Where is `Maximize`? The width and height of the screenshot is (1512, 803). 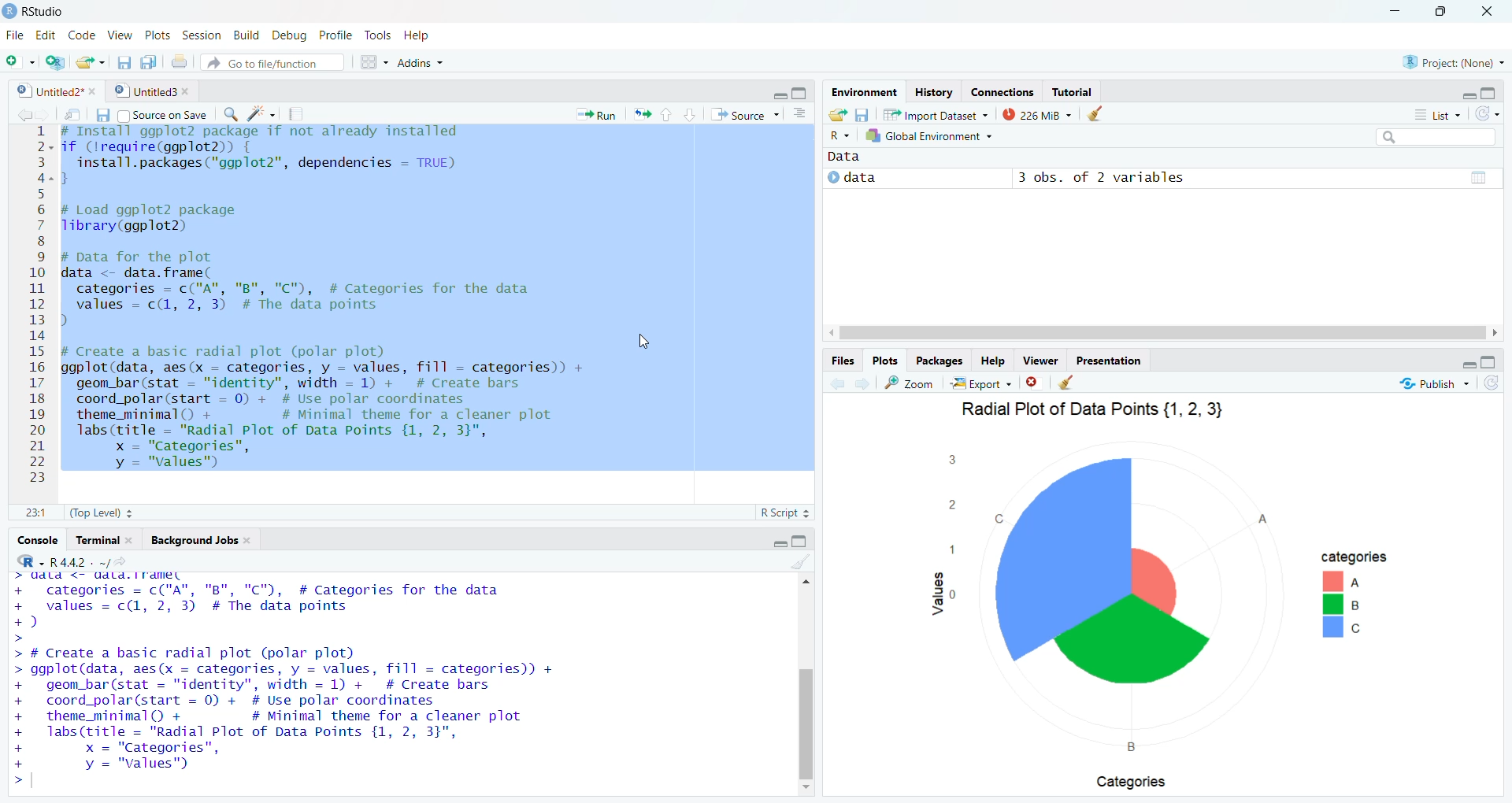
Maximize is located at coordinates (1440, 12).